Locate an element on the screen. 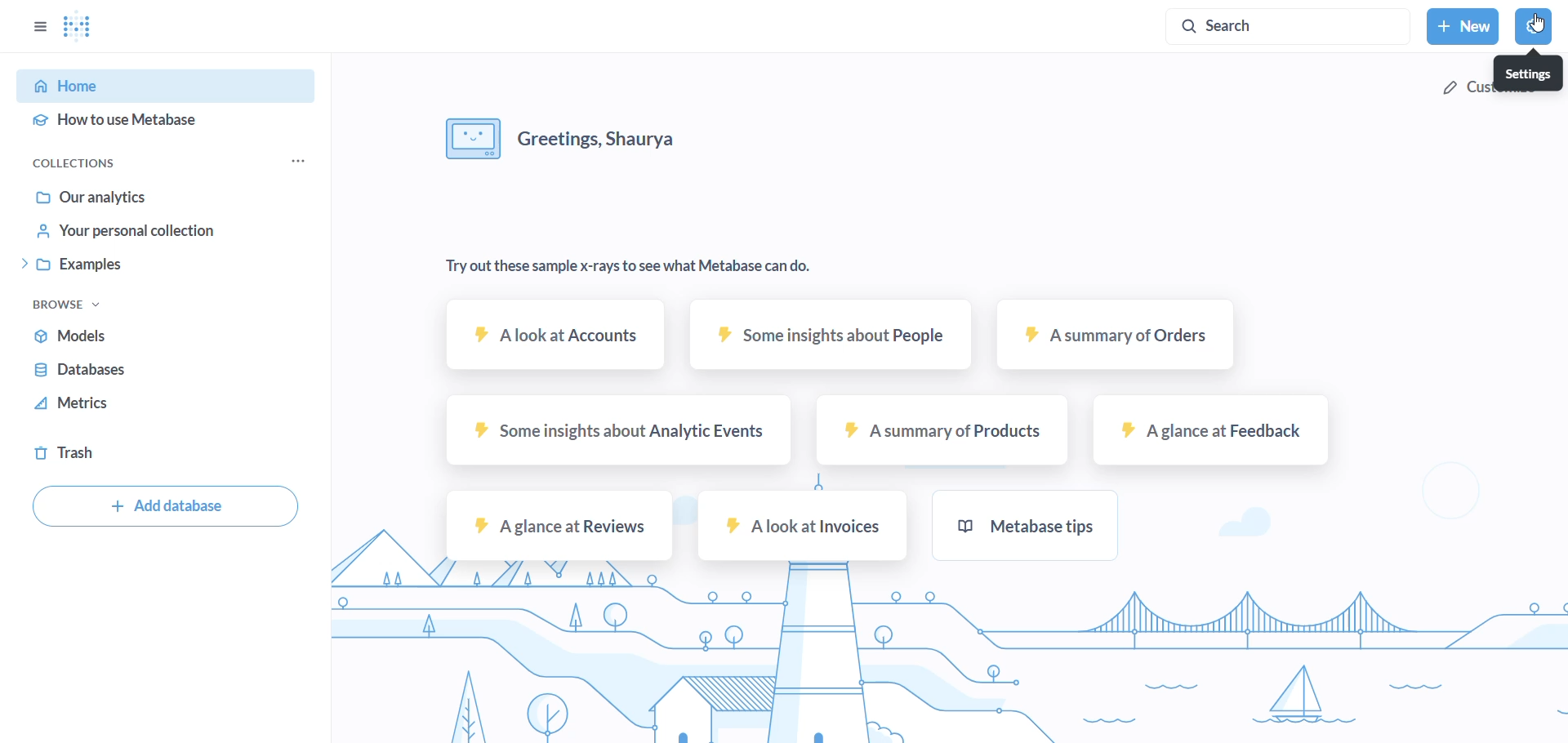 The height and width of the screenshot is (743, 1568). A glance at Feedback sample is located at coordinates (1213, 429).